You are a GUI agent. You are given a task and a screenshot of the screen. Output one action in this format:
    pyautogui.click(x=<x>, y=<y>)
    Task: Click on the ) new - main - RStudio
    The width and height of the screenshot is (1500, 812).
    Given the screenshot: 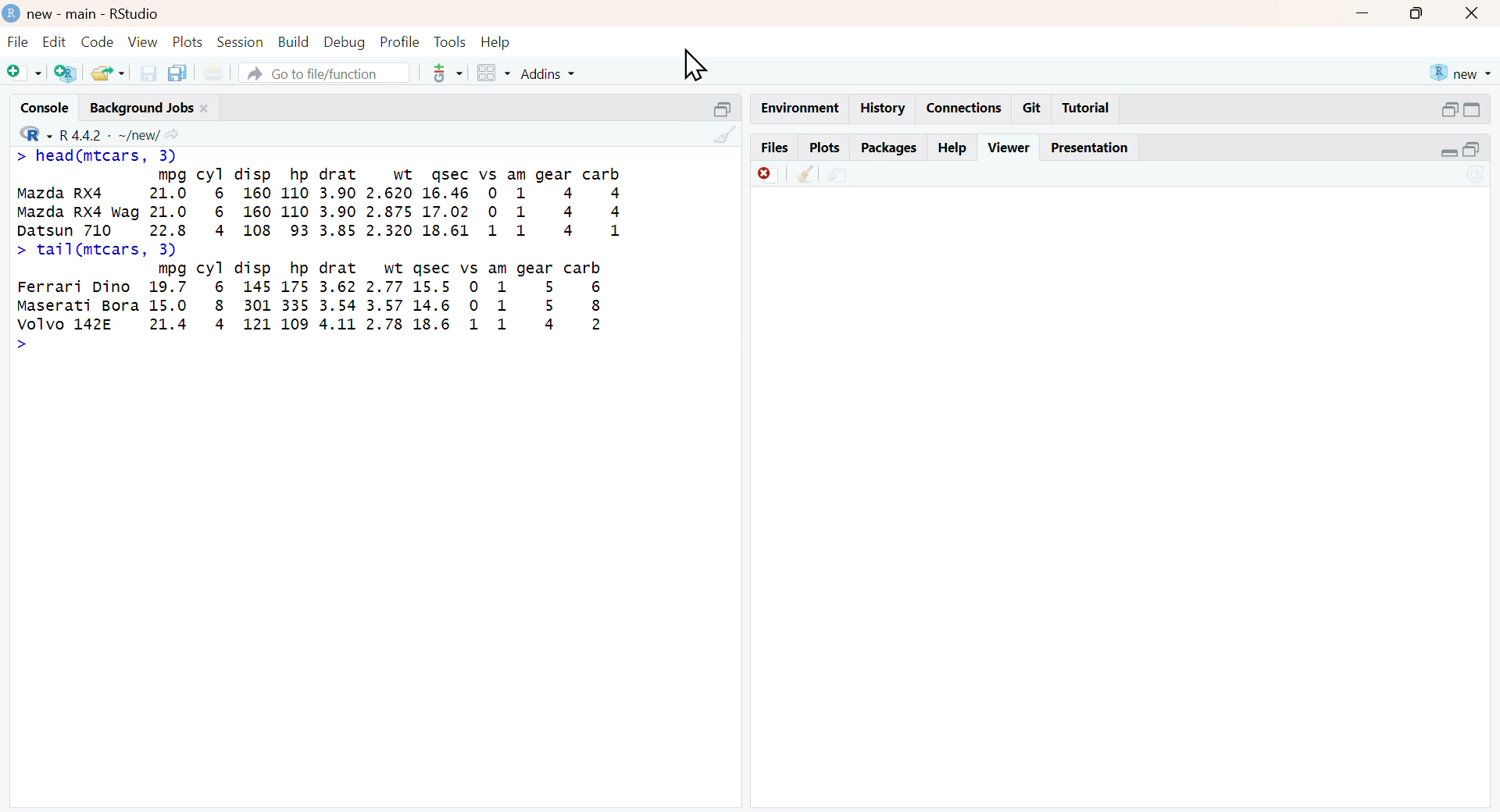 What is the action you would take?
    pyautogui.click(x=114, y=13)
    